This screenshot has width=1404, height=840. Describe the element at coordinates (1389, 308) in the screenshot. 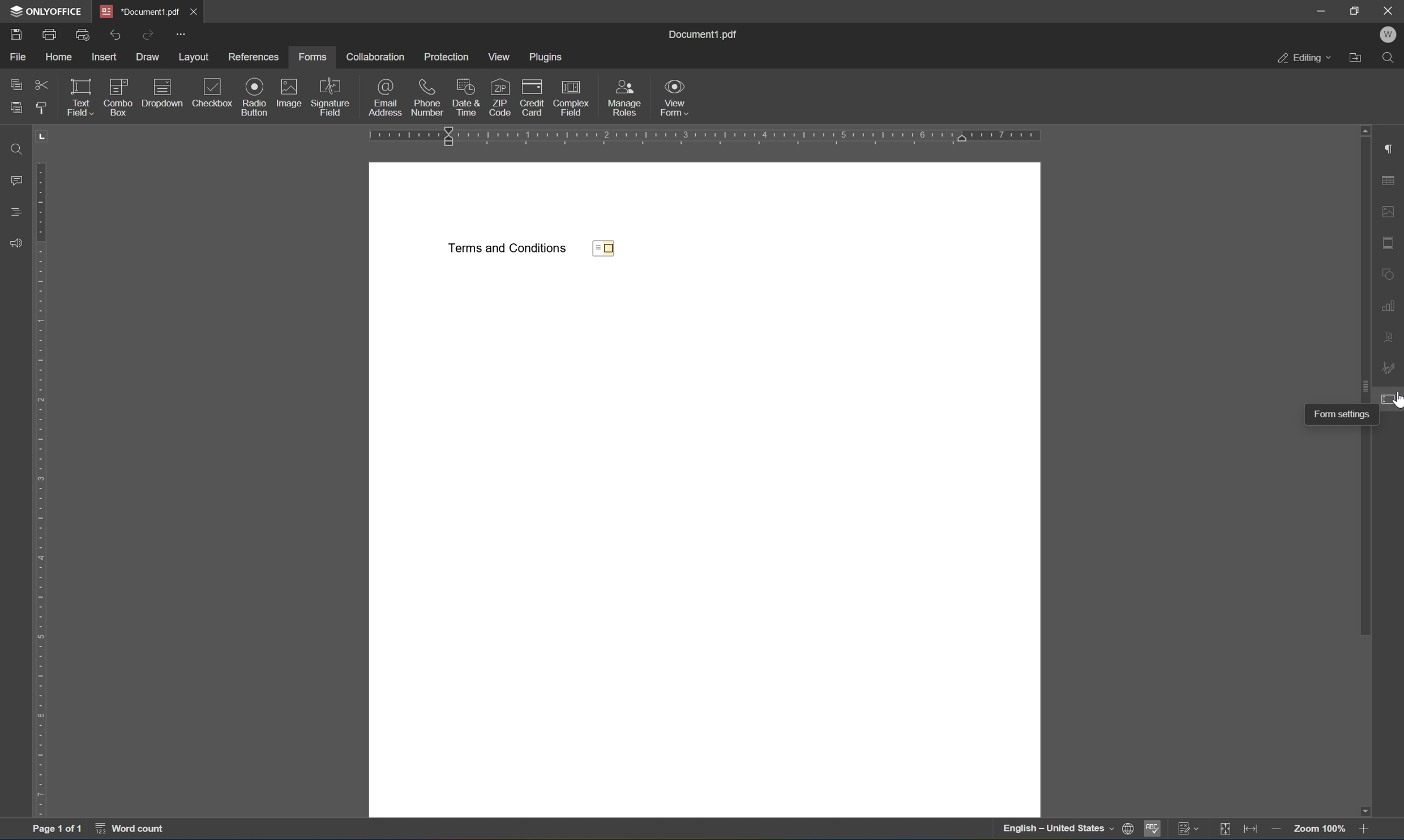

I see `chart settings` at that location.